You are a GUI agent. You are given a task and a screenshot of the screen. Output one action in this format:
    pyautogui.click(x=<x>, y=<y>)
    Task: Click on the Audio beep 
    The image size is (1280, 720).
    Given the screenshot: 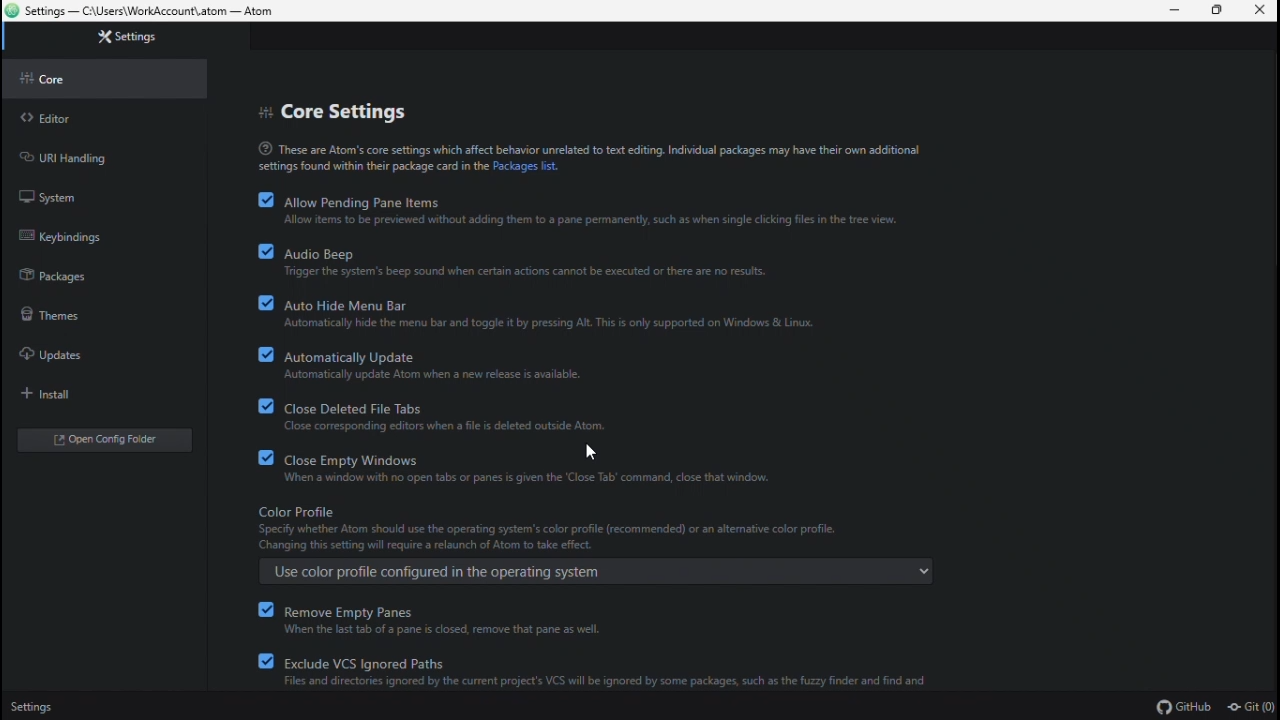 What is the action you would take?
    pyautogui.click(x=554, y=264)
    